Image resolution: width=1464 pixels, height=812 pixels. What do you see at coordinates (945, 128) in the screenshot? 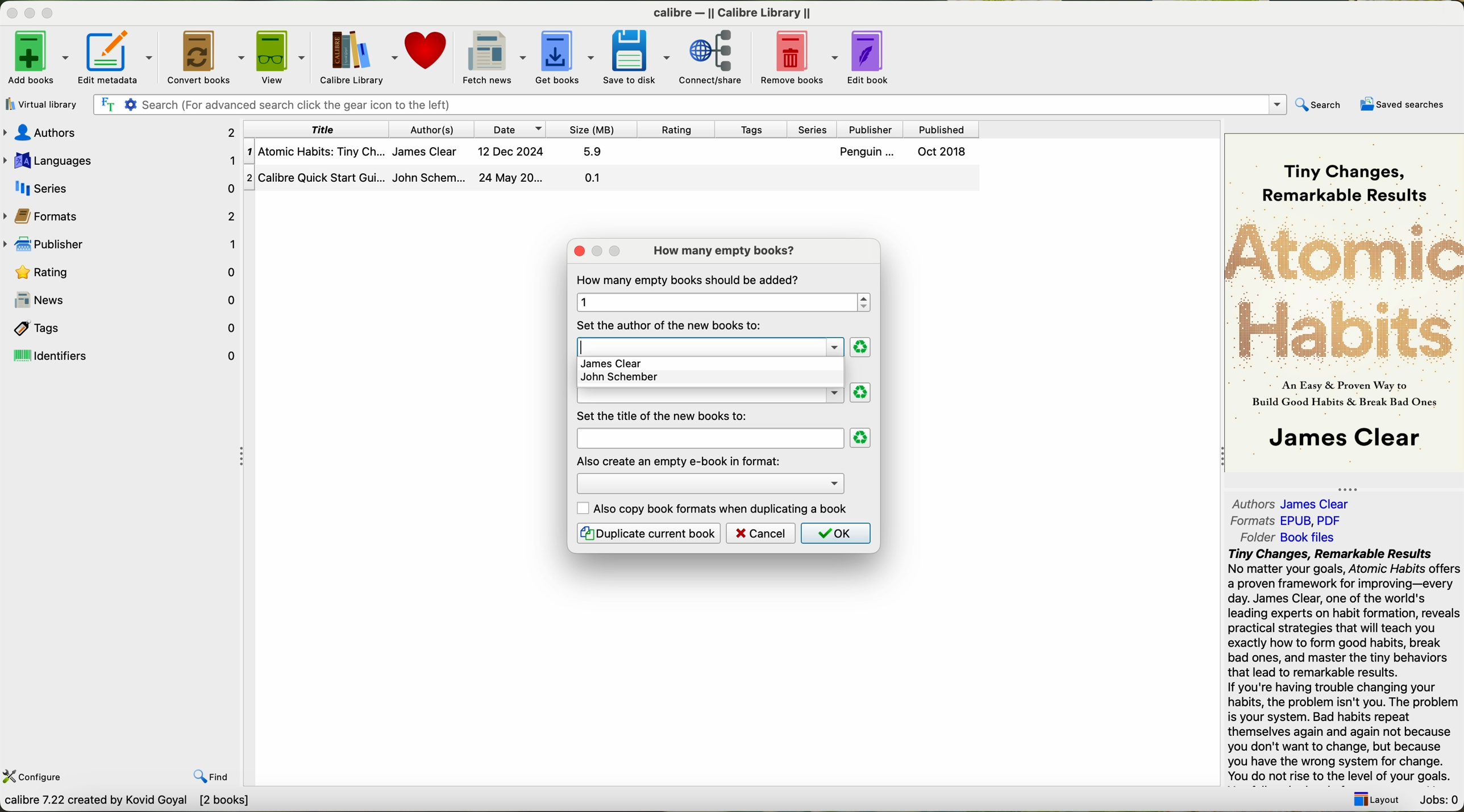
I see `published` at bounding box center [945, 128].